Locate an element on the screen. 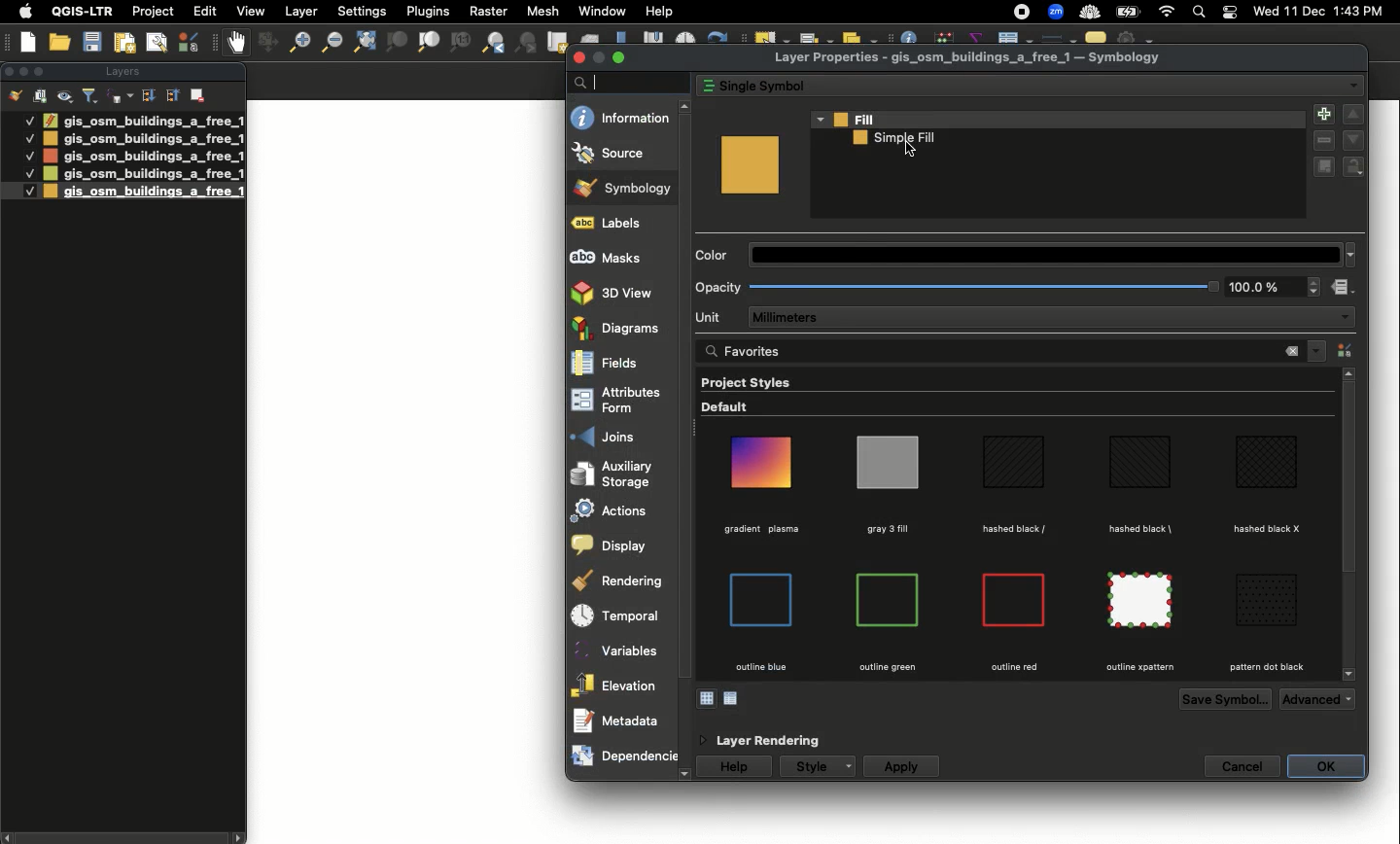  gis_osm_buildings_a_free_1 is located at coordinates (143, 120).